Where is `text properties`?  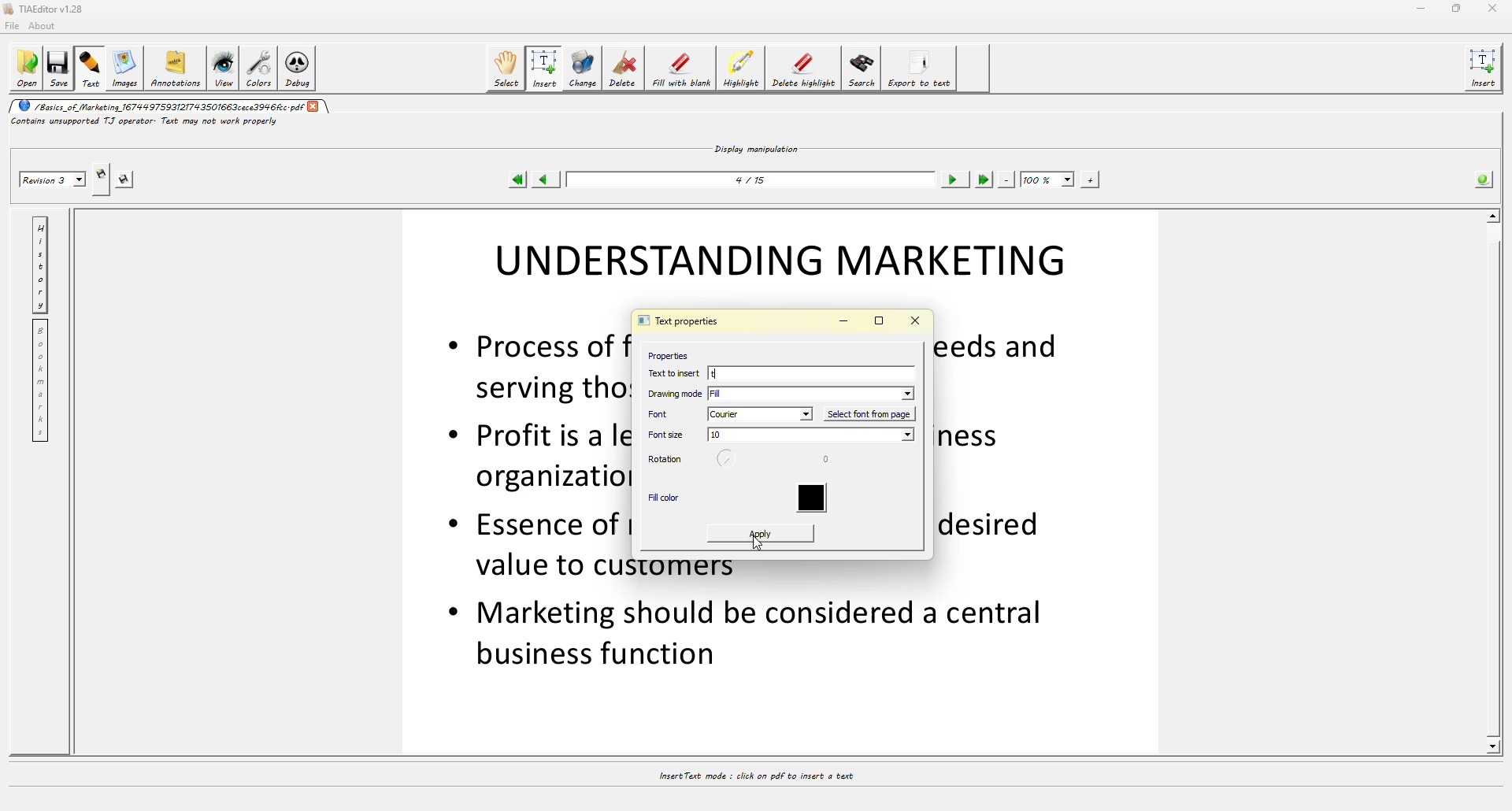
text properties is located at coordinates (677, 322).